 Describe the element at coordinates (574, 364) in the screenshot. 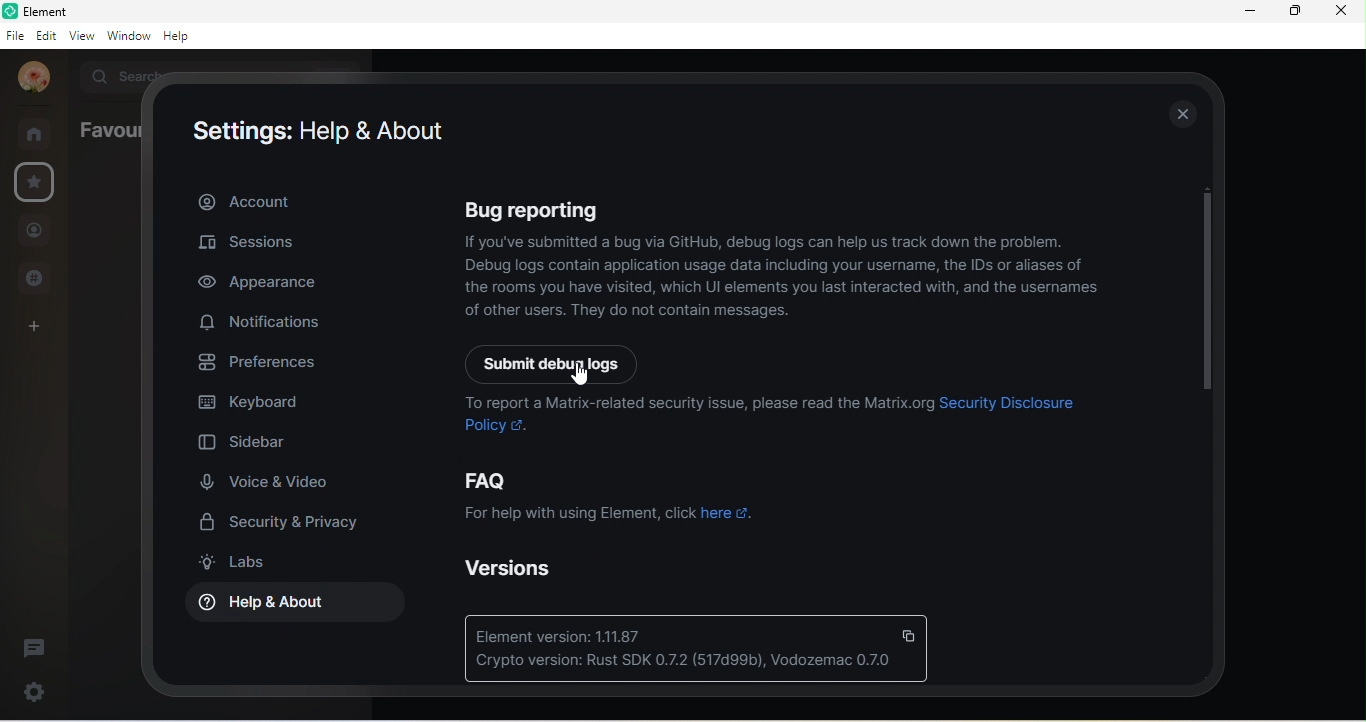

I see `submit debug logs` at that location.